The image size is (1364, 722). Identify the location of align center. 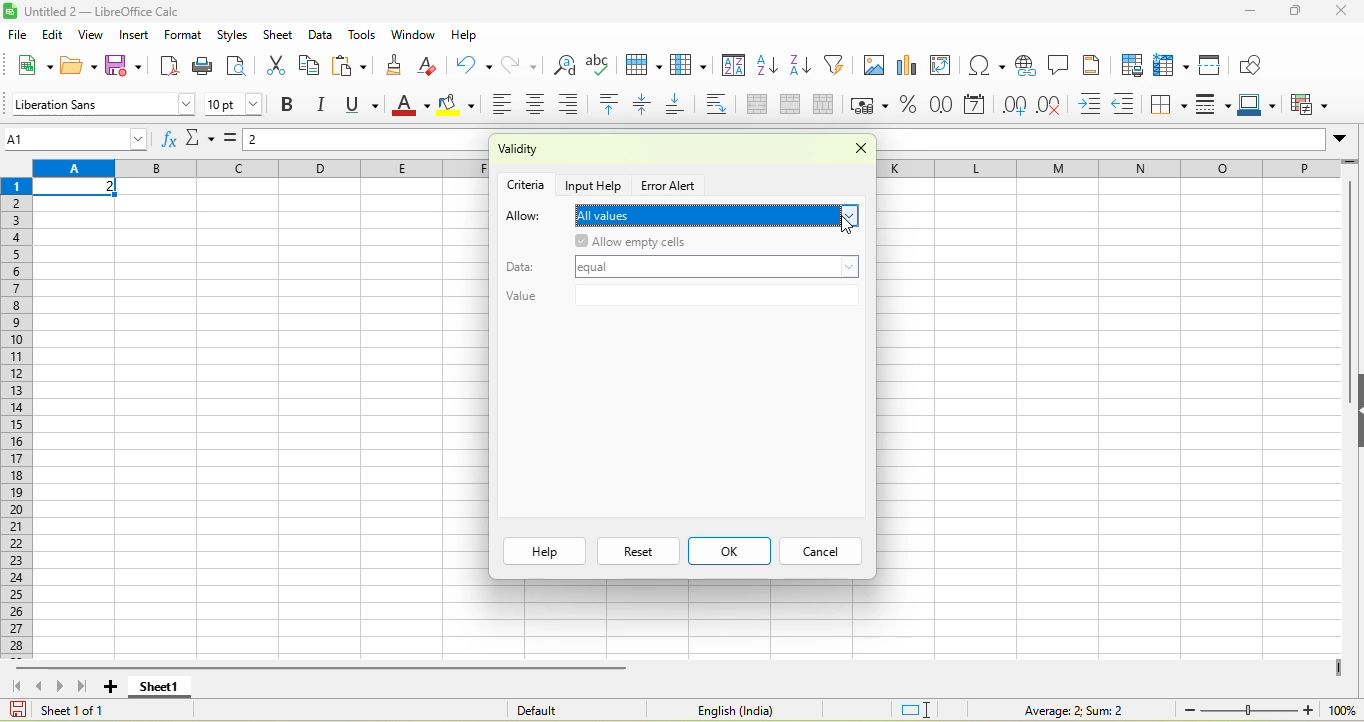
(539, 106).